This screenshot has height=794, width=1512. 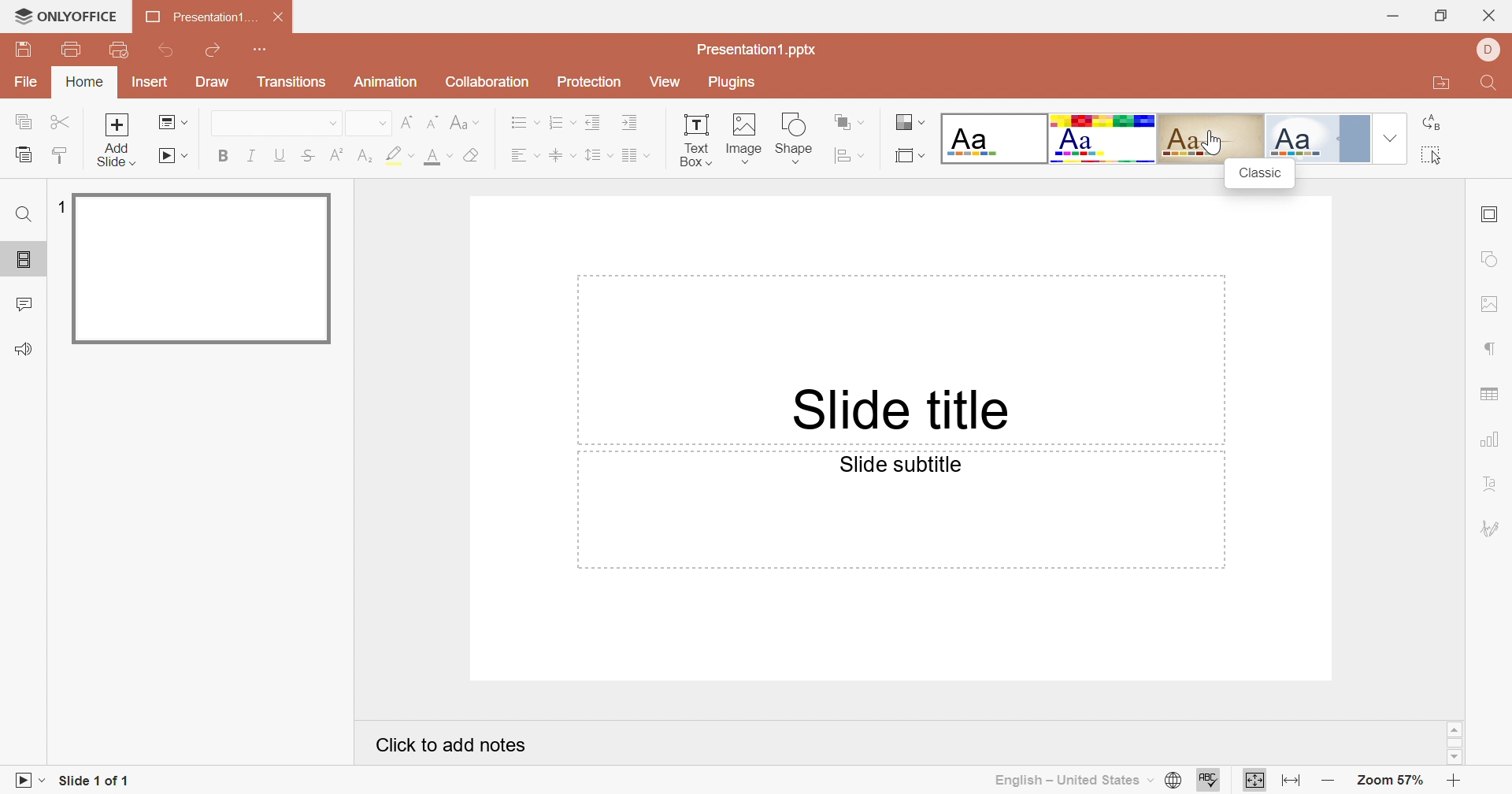 What do you see at coordinates (1494, 83) in the screenshot?
I see `Find` at bounding box center [1494, 83].